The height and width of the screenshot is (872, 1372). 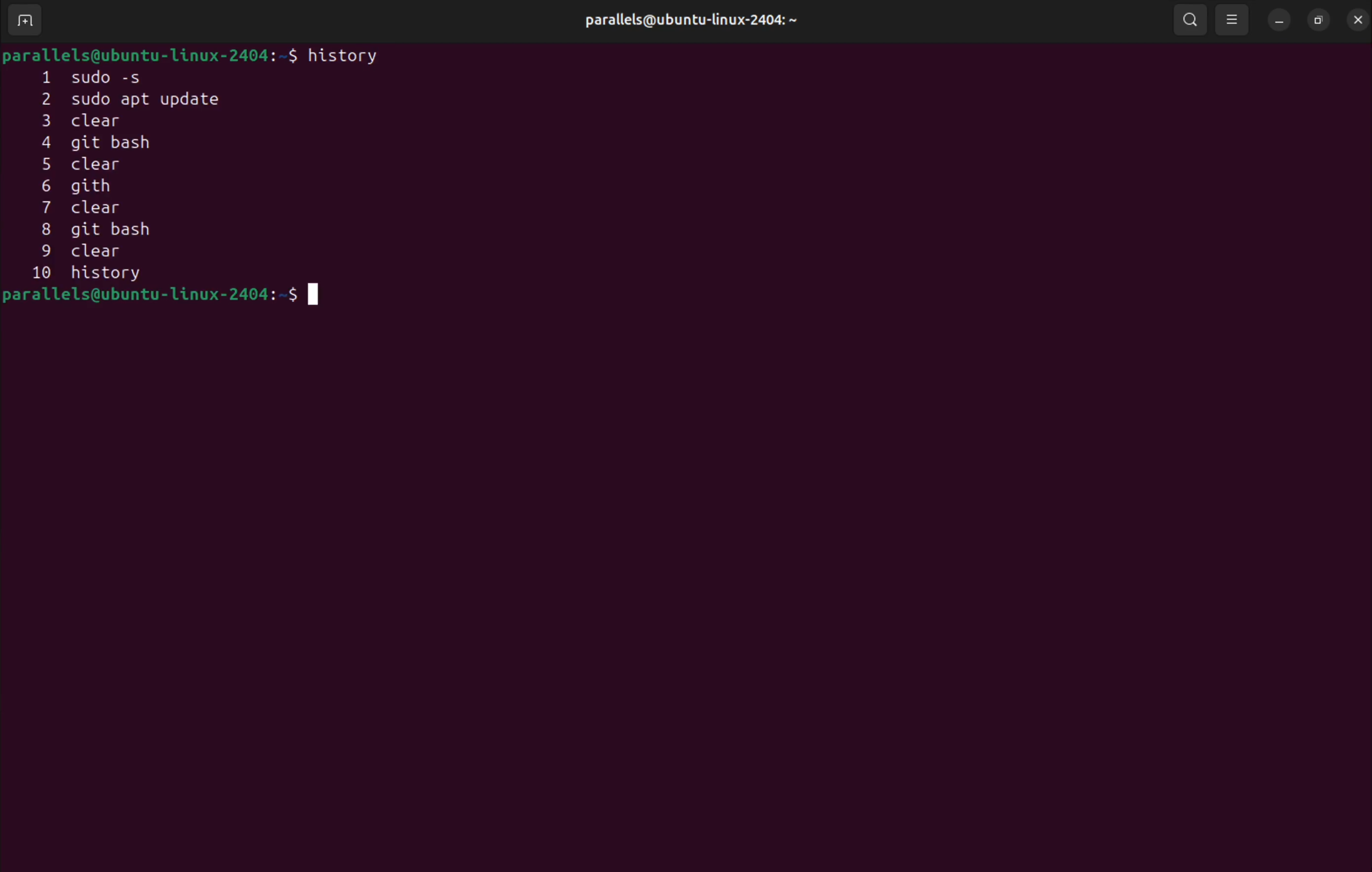 What do you see at coordinates (1318, 19) in the screenshot?
I see `resize` at bounding box center [1318, 19].